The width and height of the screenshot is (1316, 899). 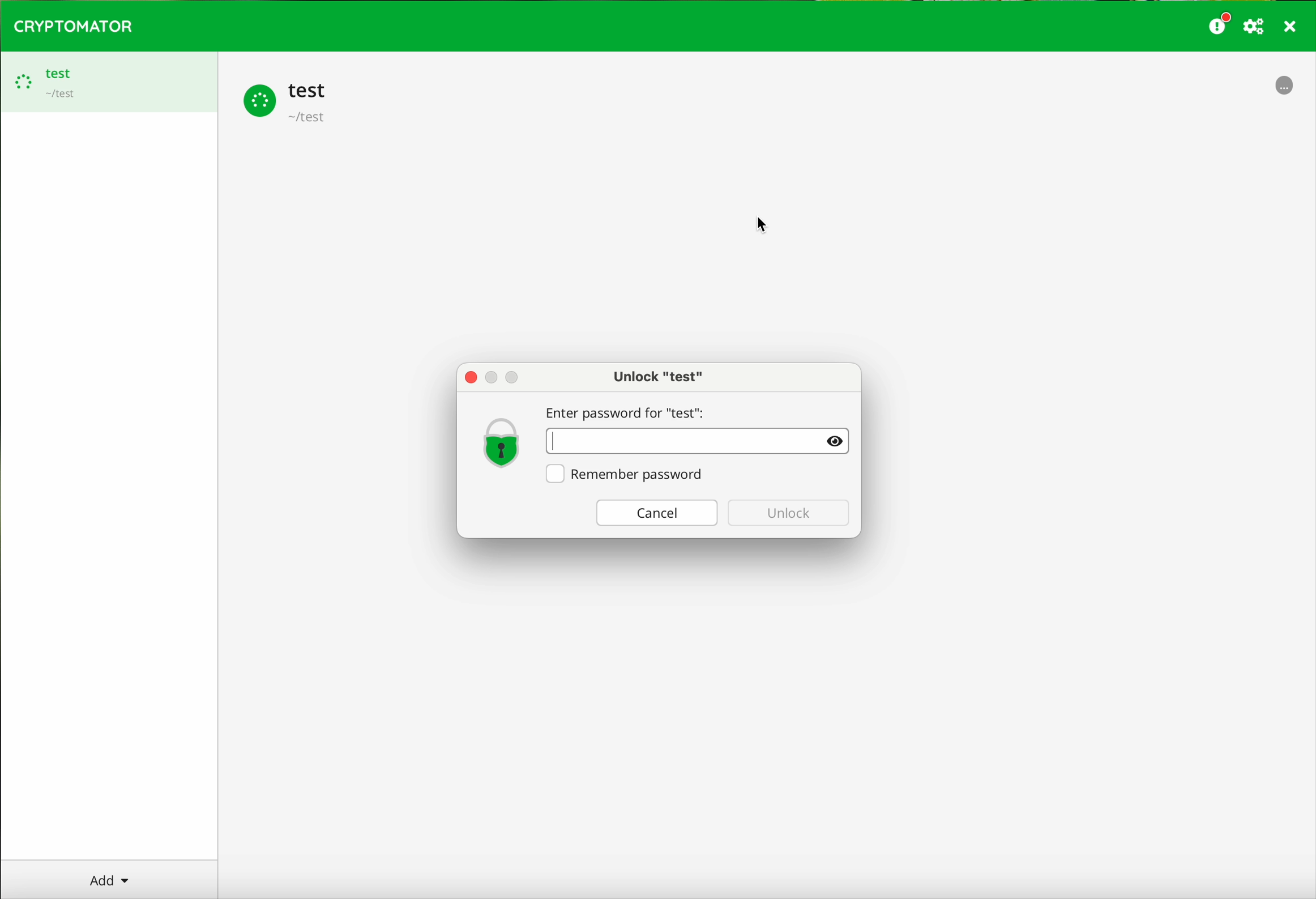 I want to click on unlocking vault, so click(x=109, y=82).